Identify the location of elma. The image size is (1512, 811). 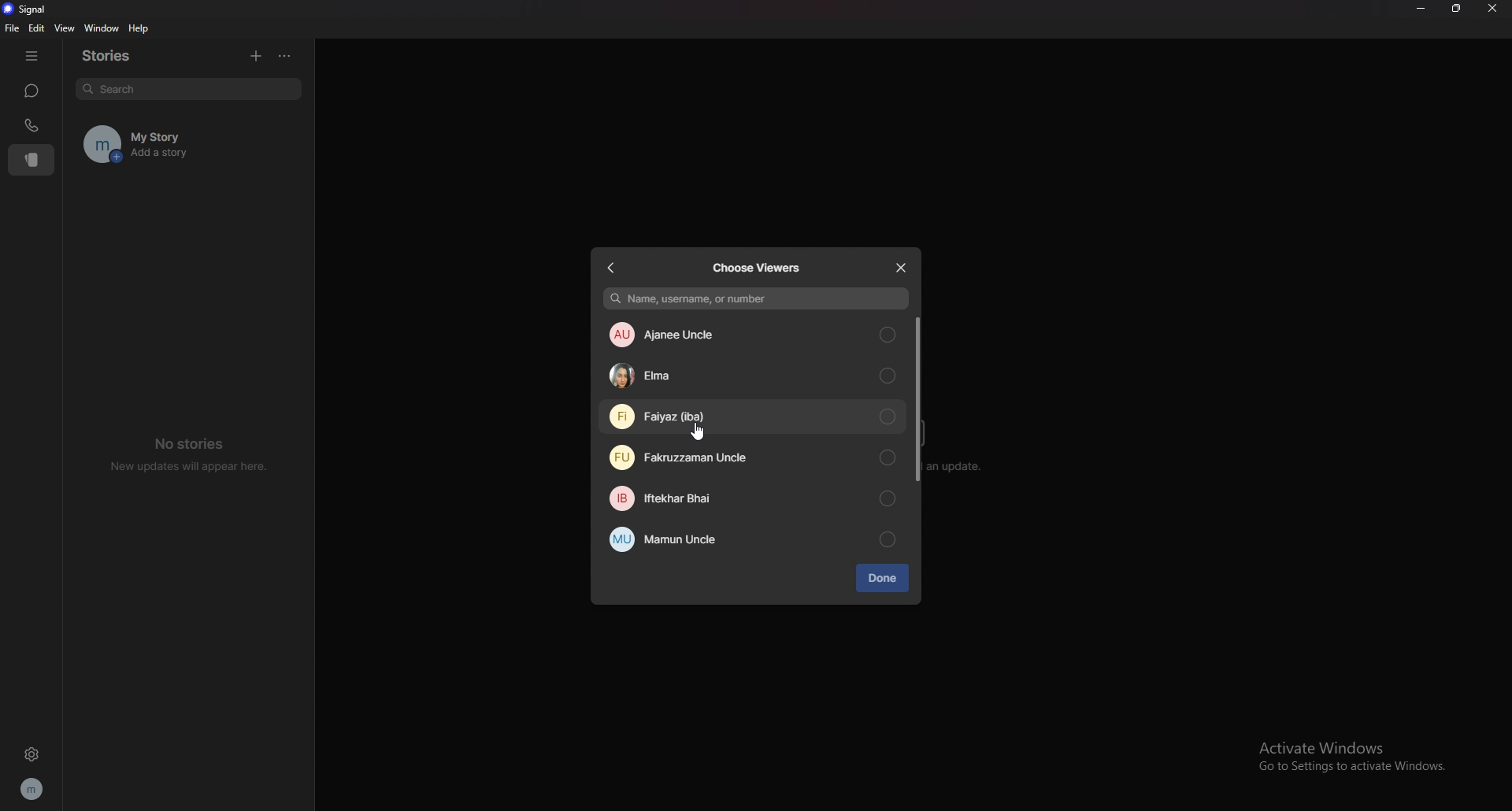
(751, 376).